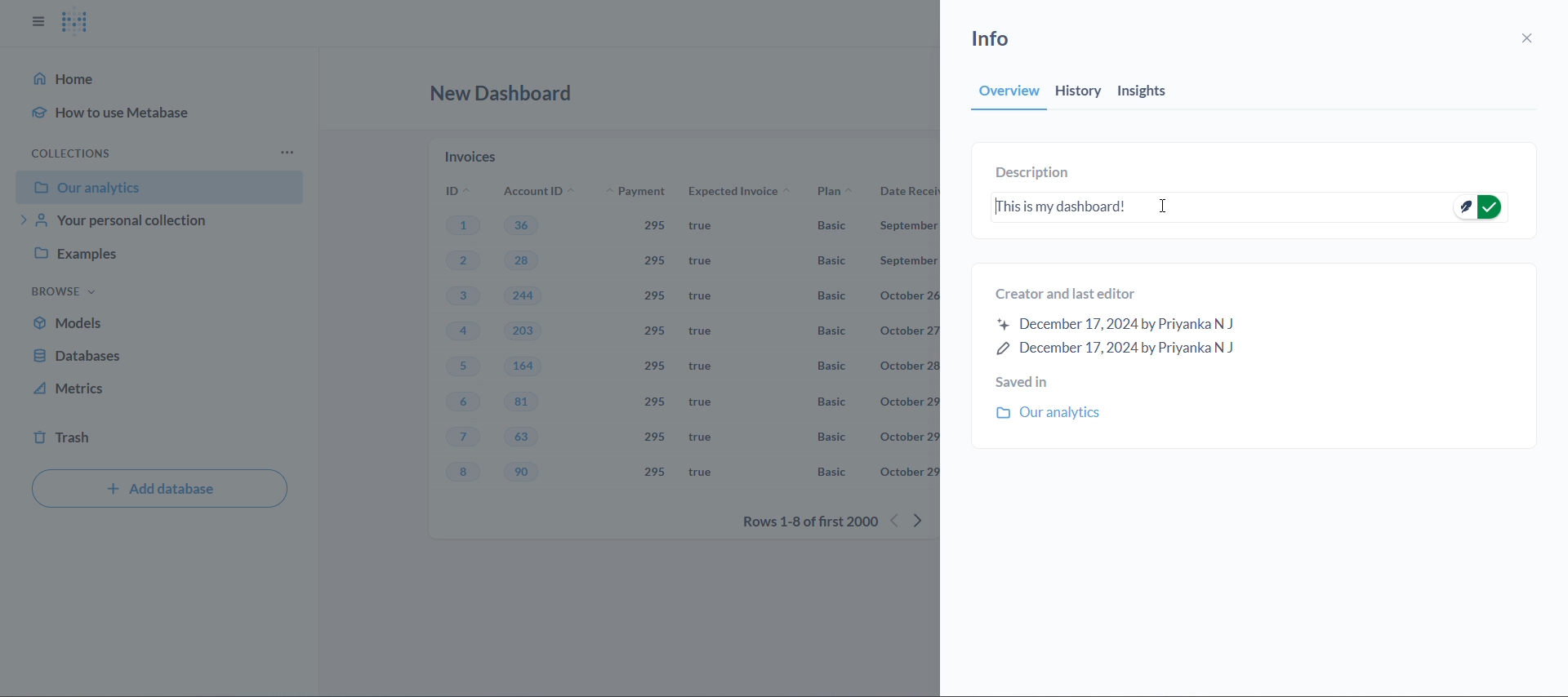 This screenshot has width=1568, height=697. Describe the element at coordinates (1531, 36) in the screenshot. I see `close` at that location.